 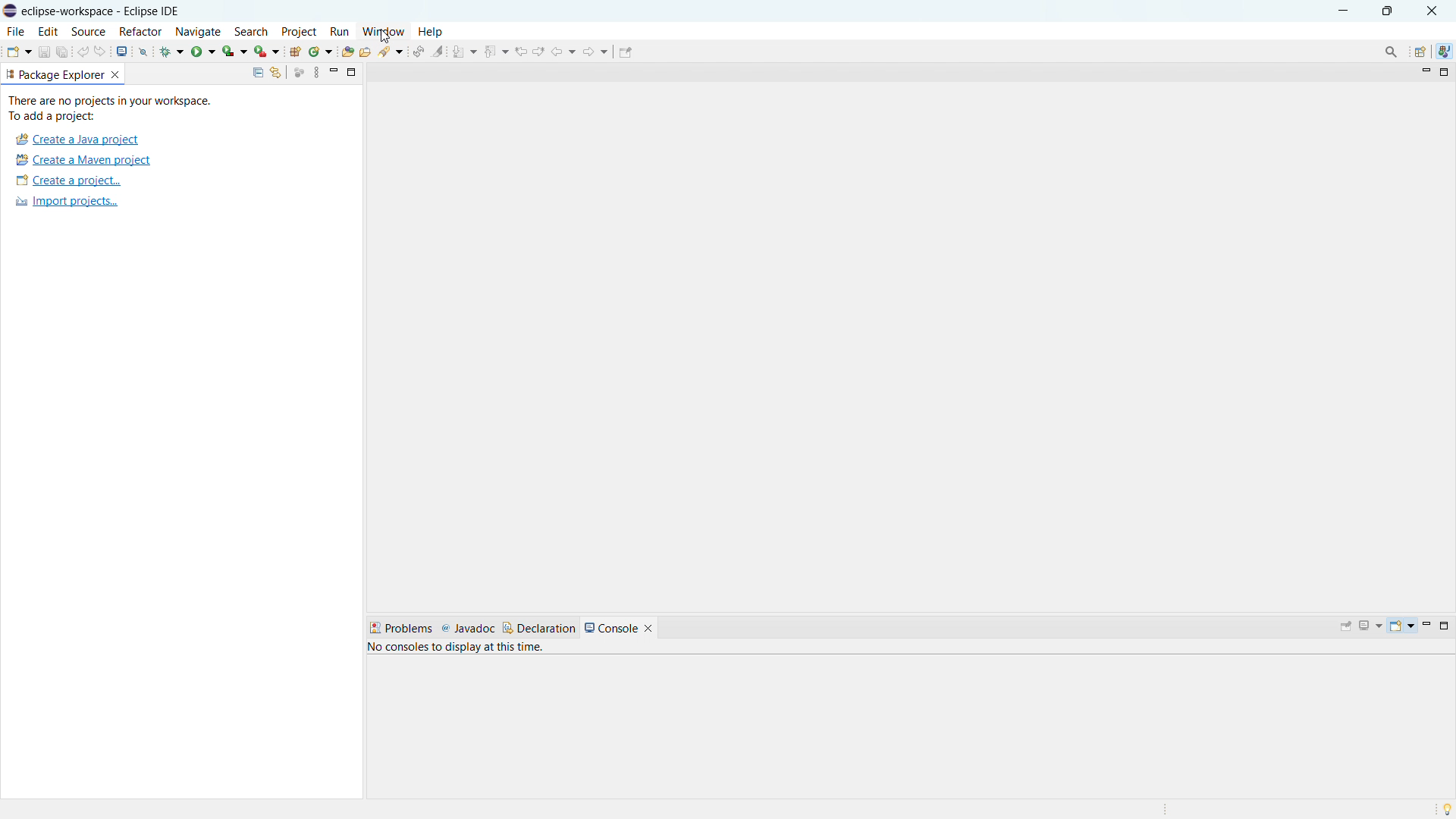 I want to click on open type, so click(x=347, y=51).